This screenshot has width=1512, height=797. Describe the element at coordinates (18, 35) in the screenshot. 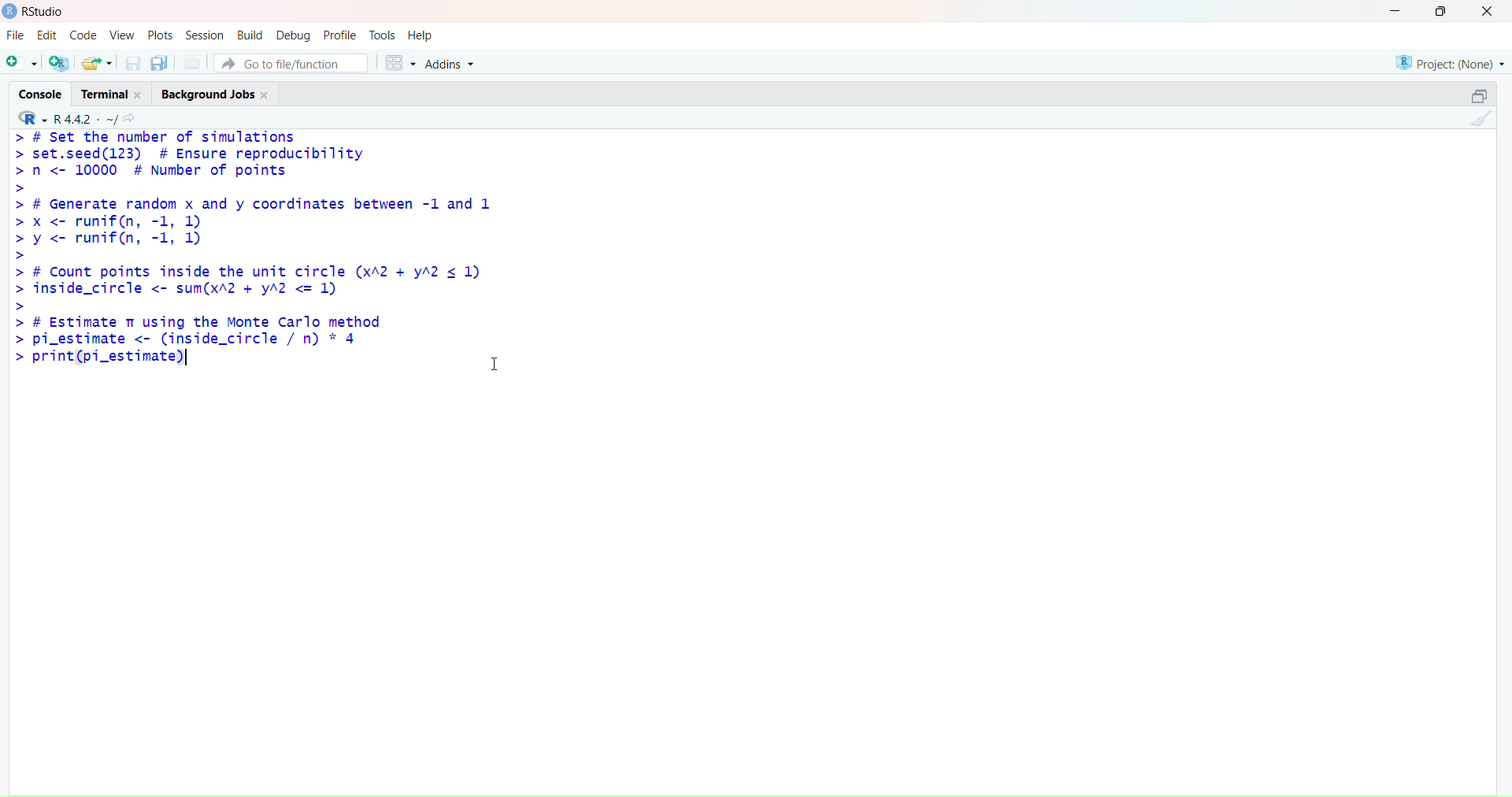

I see `File` at that location.